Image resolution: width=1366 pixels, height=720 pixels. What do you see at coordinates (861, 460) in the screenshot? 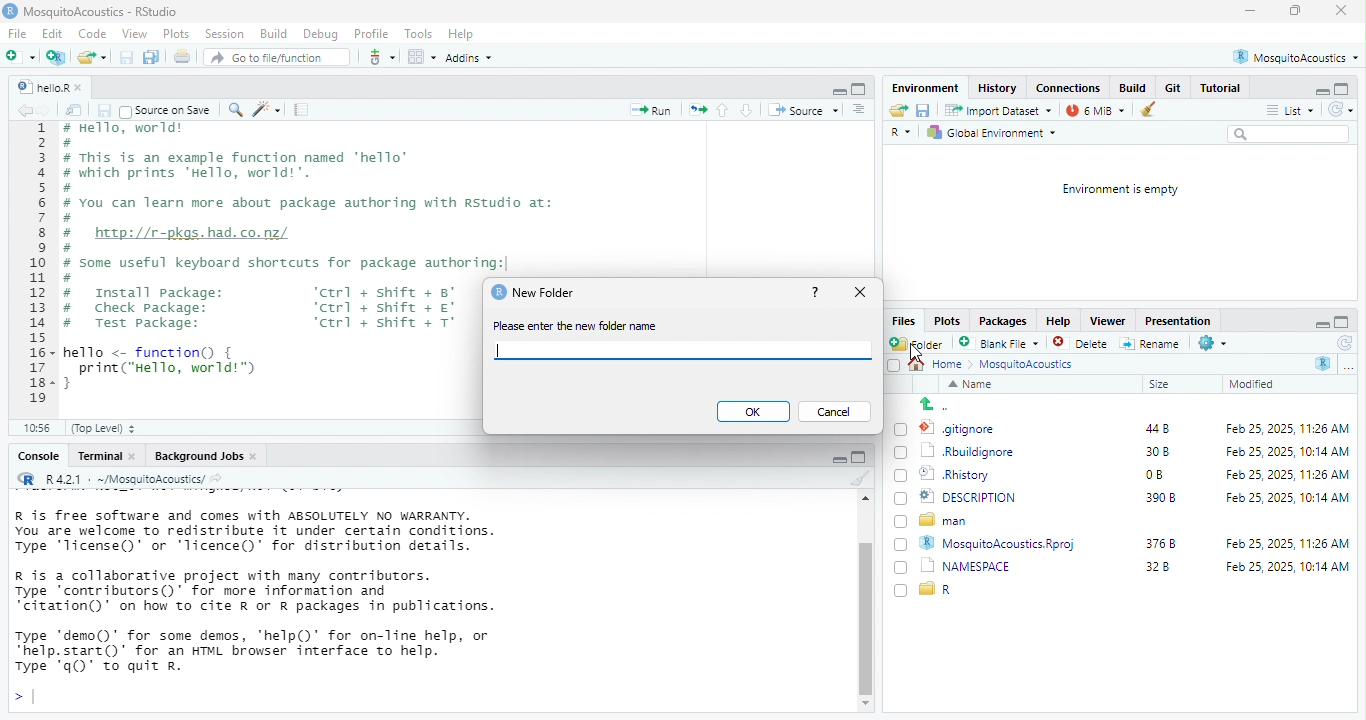
I see `hide console` at bounding box center [861, 460].